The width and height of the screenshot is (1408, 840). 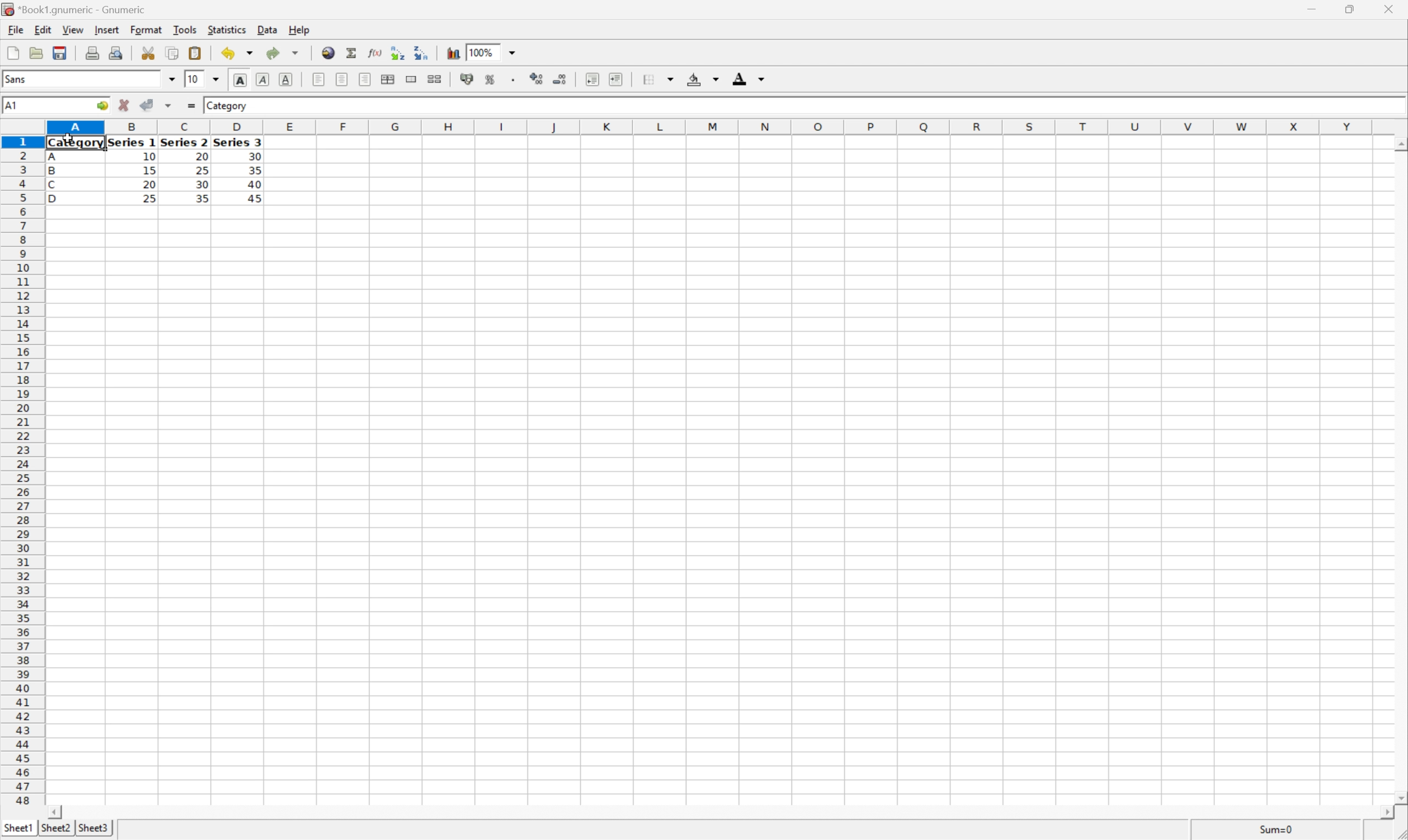 I want to click on Sheet1, so click(x=18, y=829).